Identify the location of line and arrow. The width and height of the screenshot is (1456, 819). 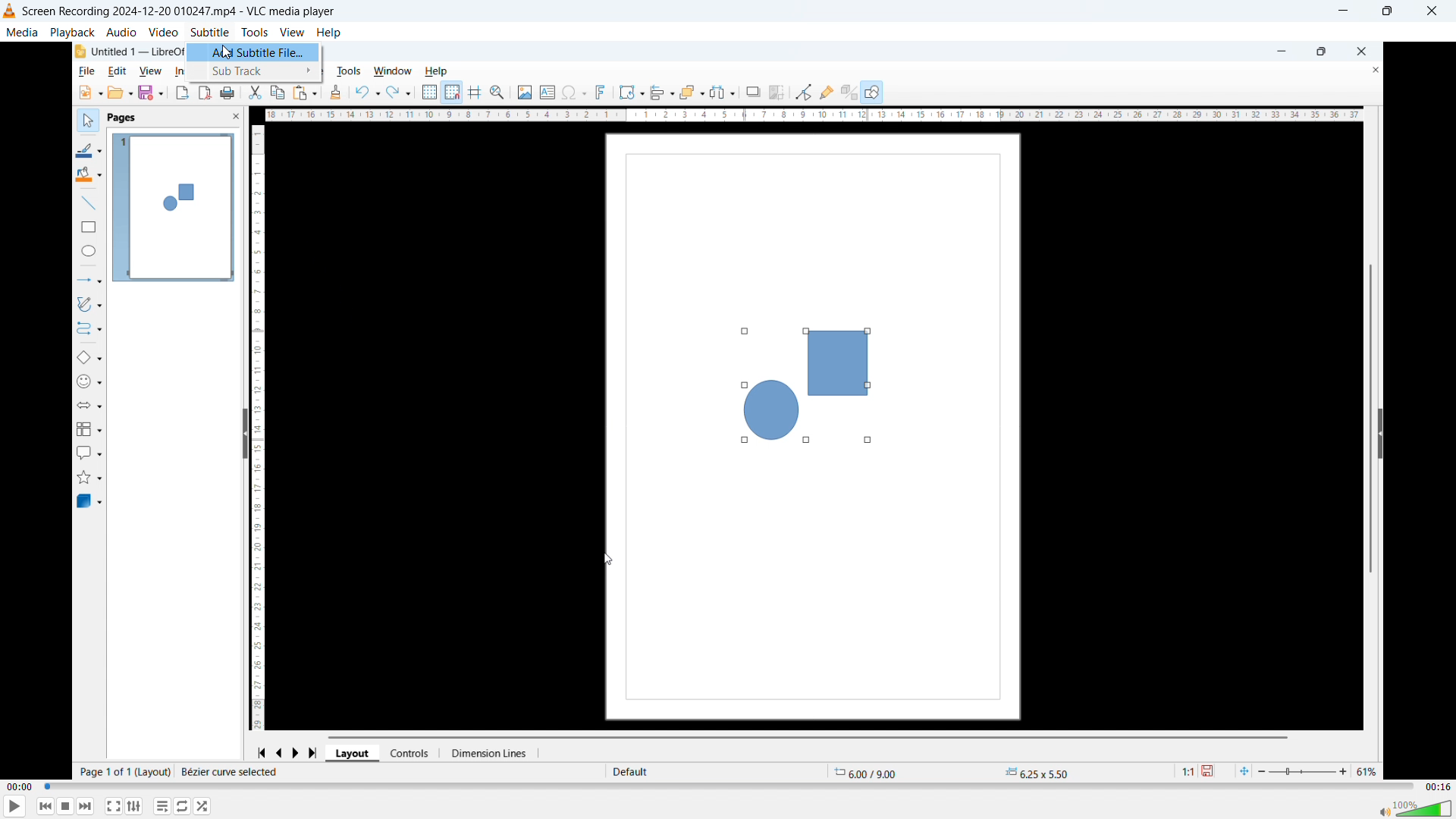
(88, 281).